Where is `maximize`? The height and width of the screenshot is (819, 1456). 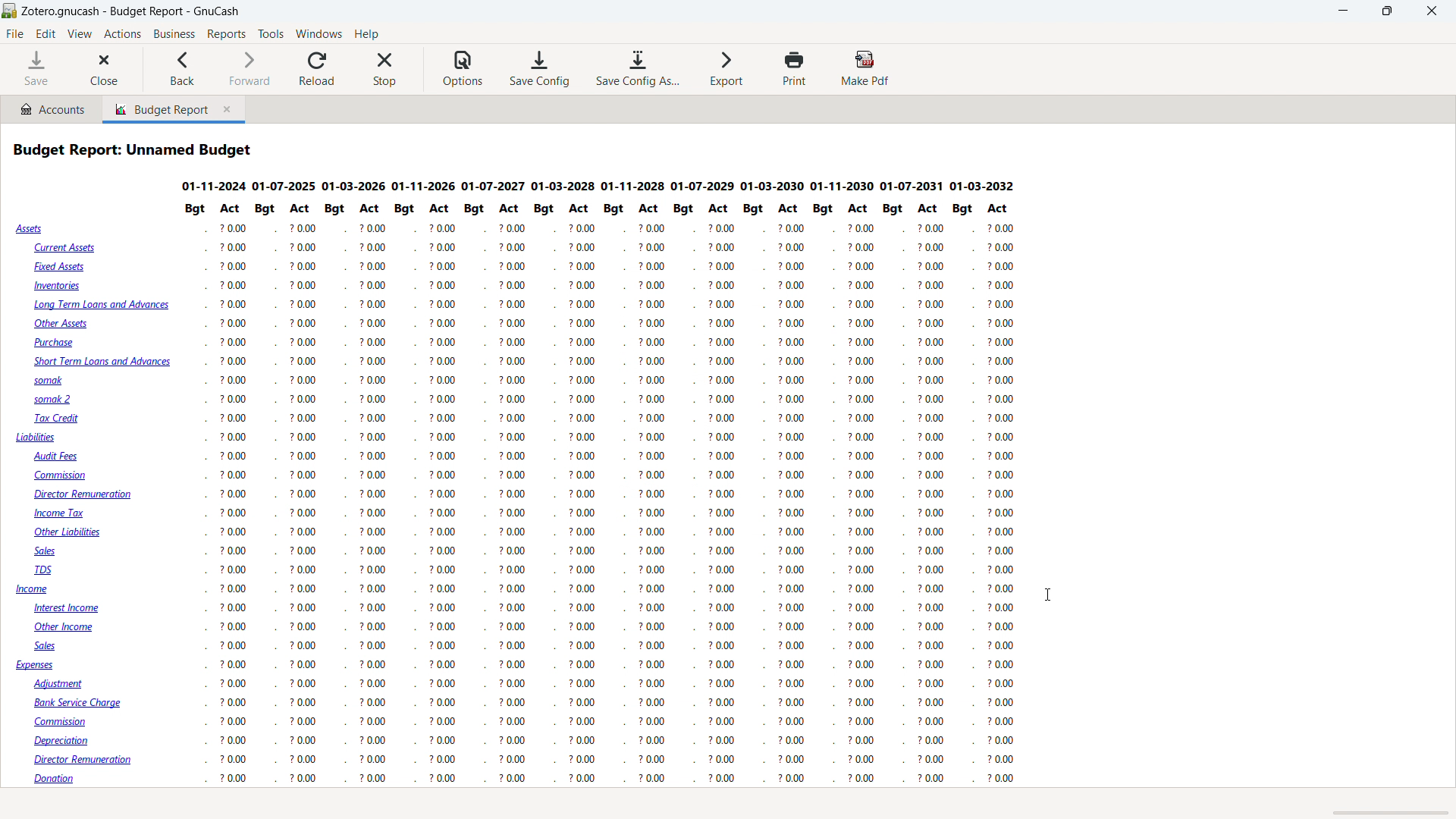
maximize is located at coordinates (1386, 11).